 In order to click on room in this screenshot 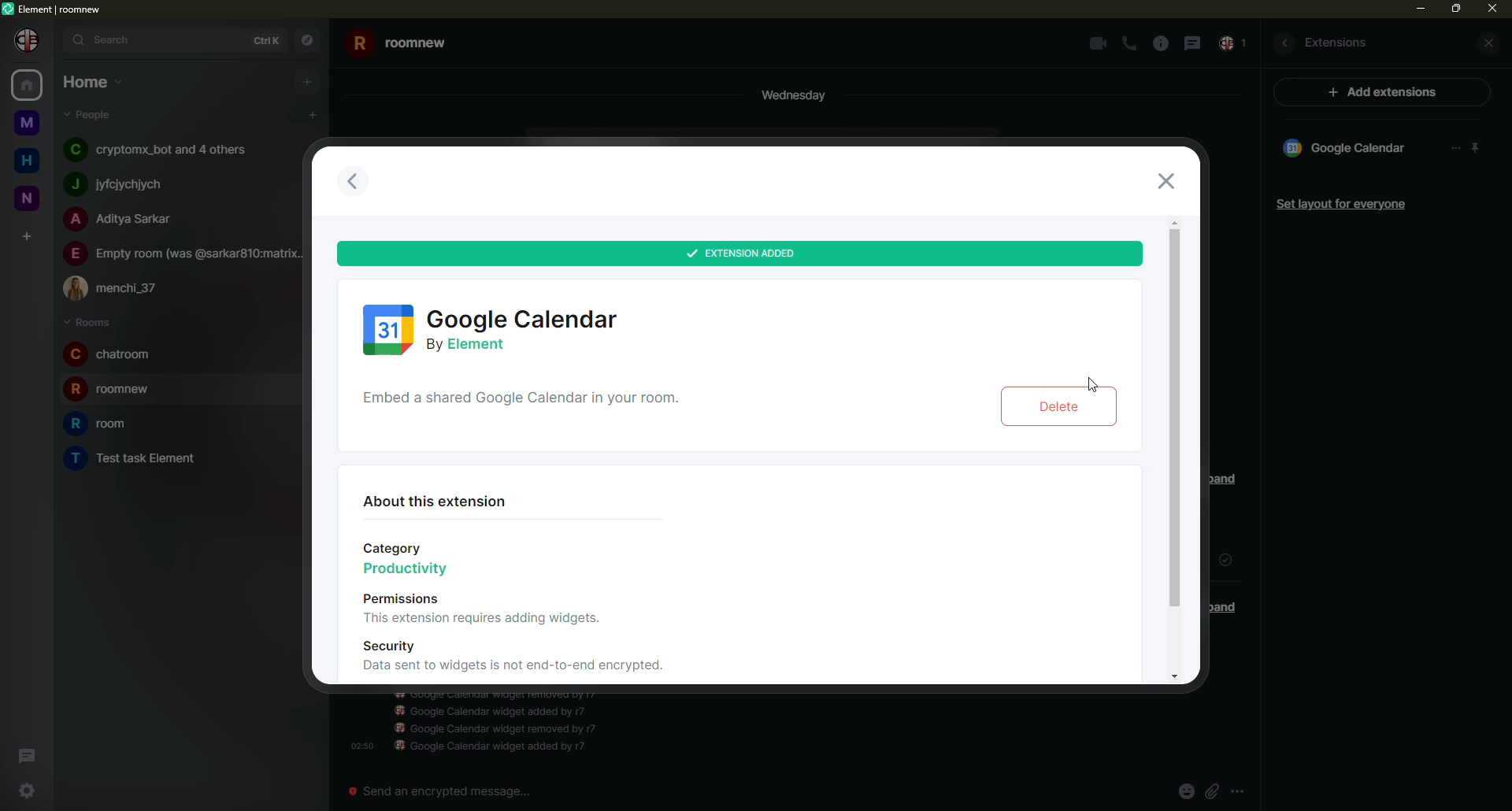, I will do `click(30, 198)`.